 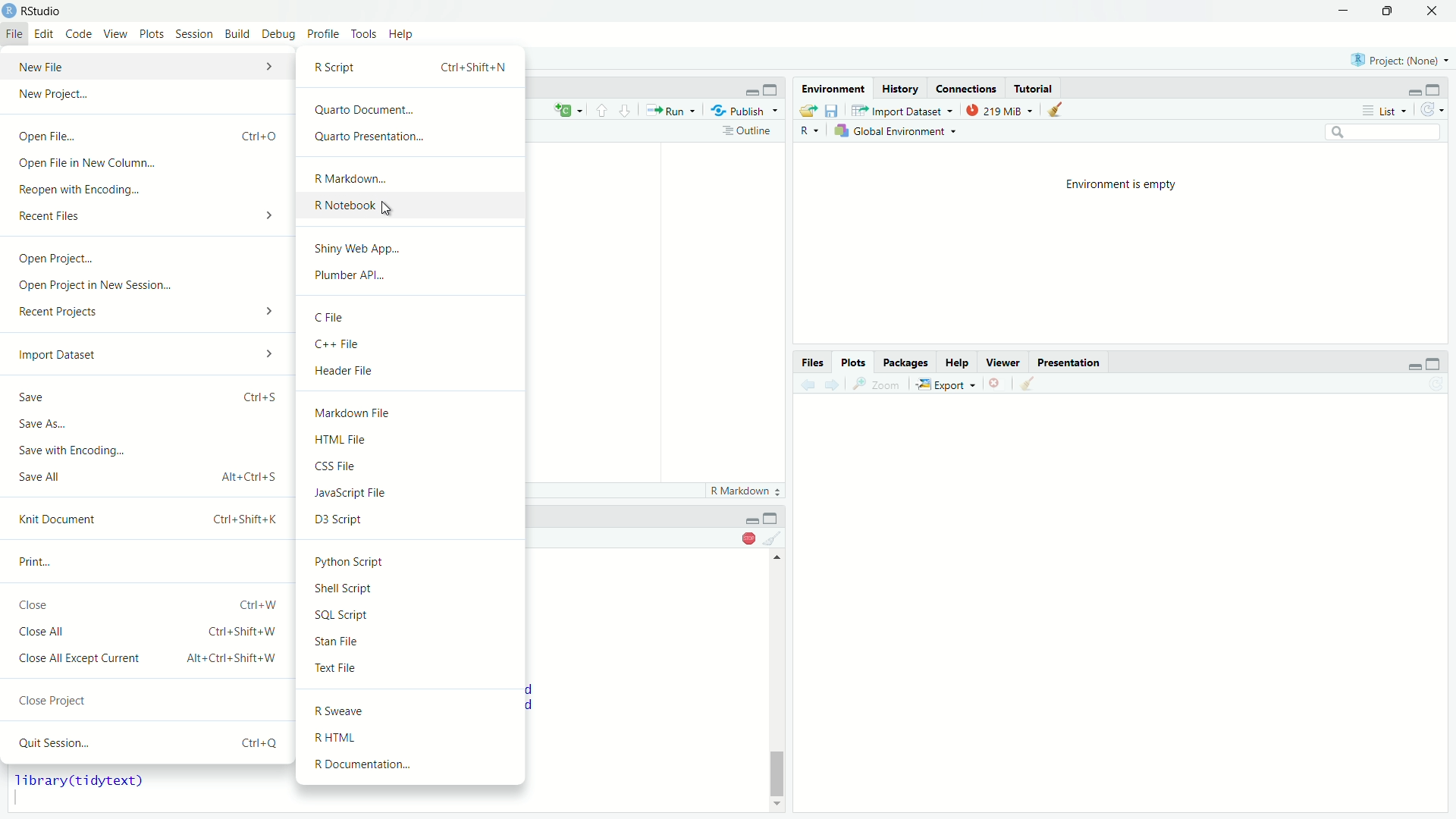 I want to click on C++ File, so click(x=414, y=342).